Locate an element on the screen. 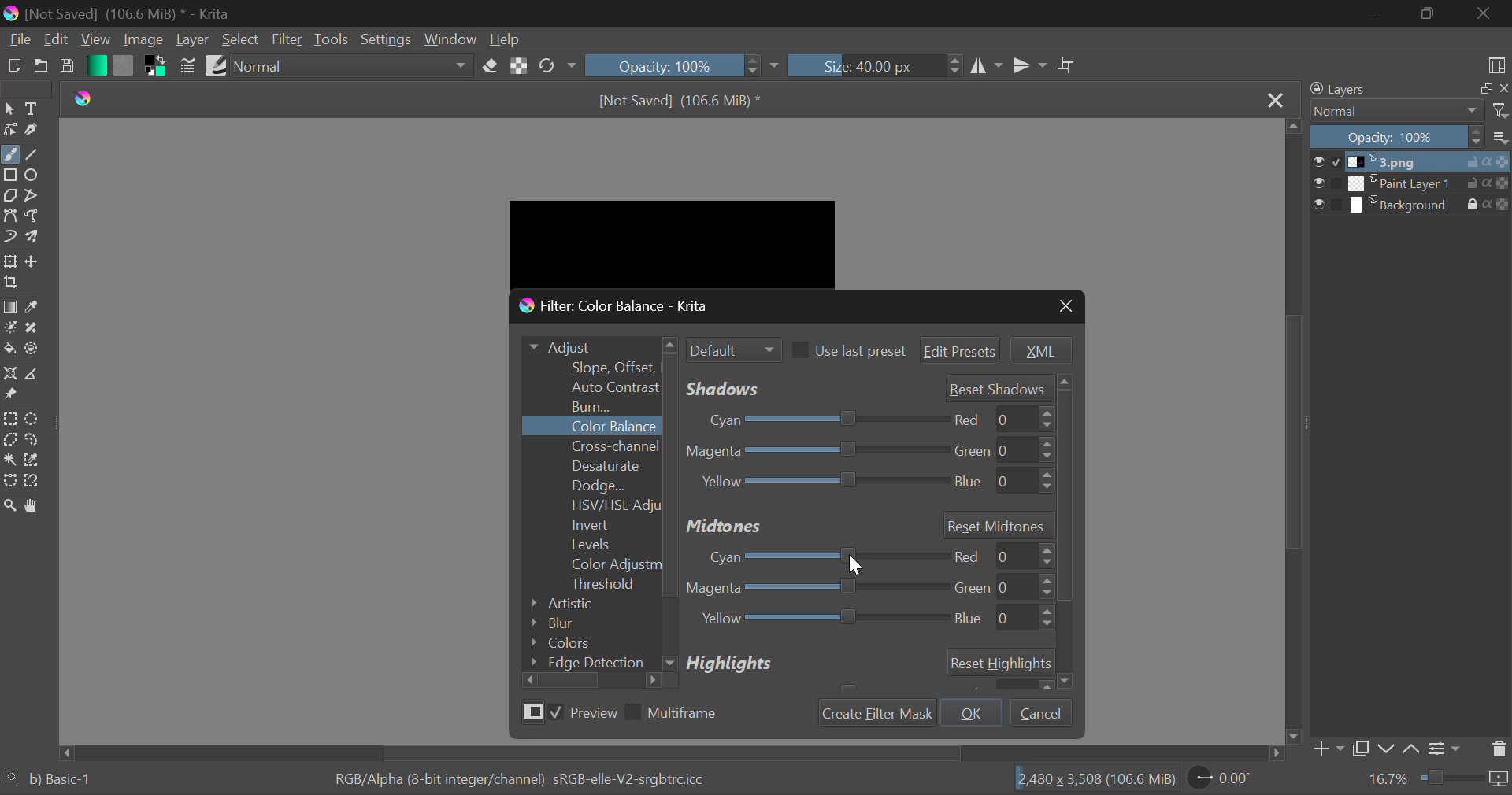  Scroll Bar is located at coordinates (1295, 432).